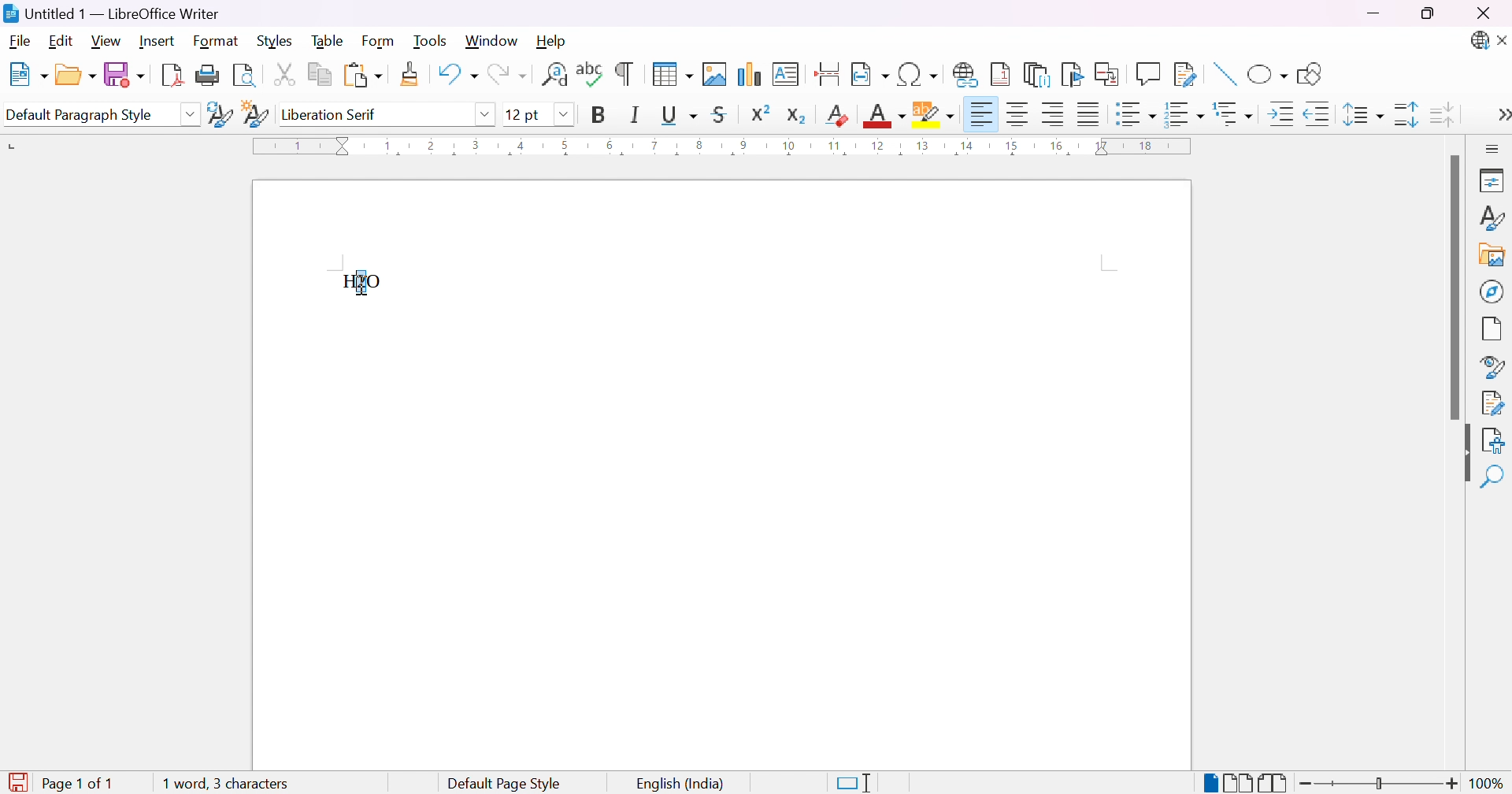 This screenshot has width=1512, height=794. Describe the element at coordinates (1483, 14) in the screenshot. I see `Close` at that location.